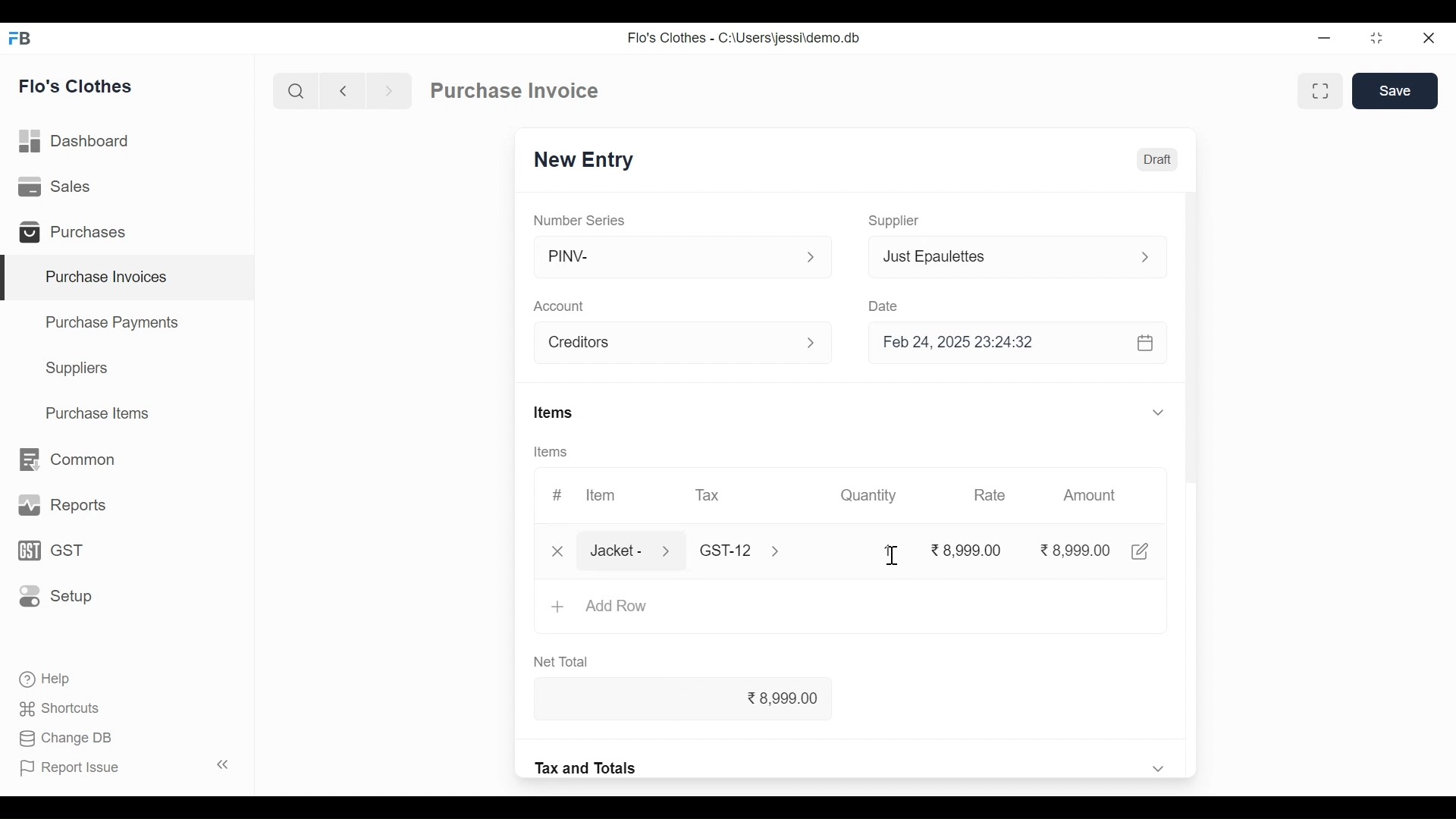 This screenshot has height=819, width=1456. I want to click on Net Total, so click(566, 663).